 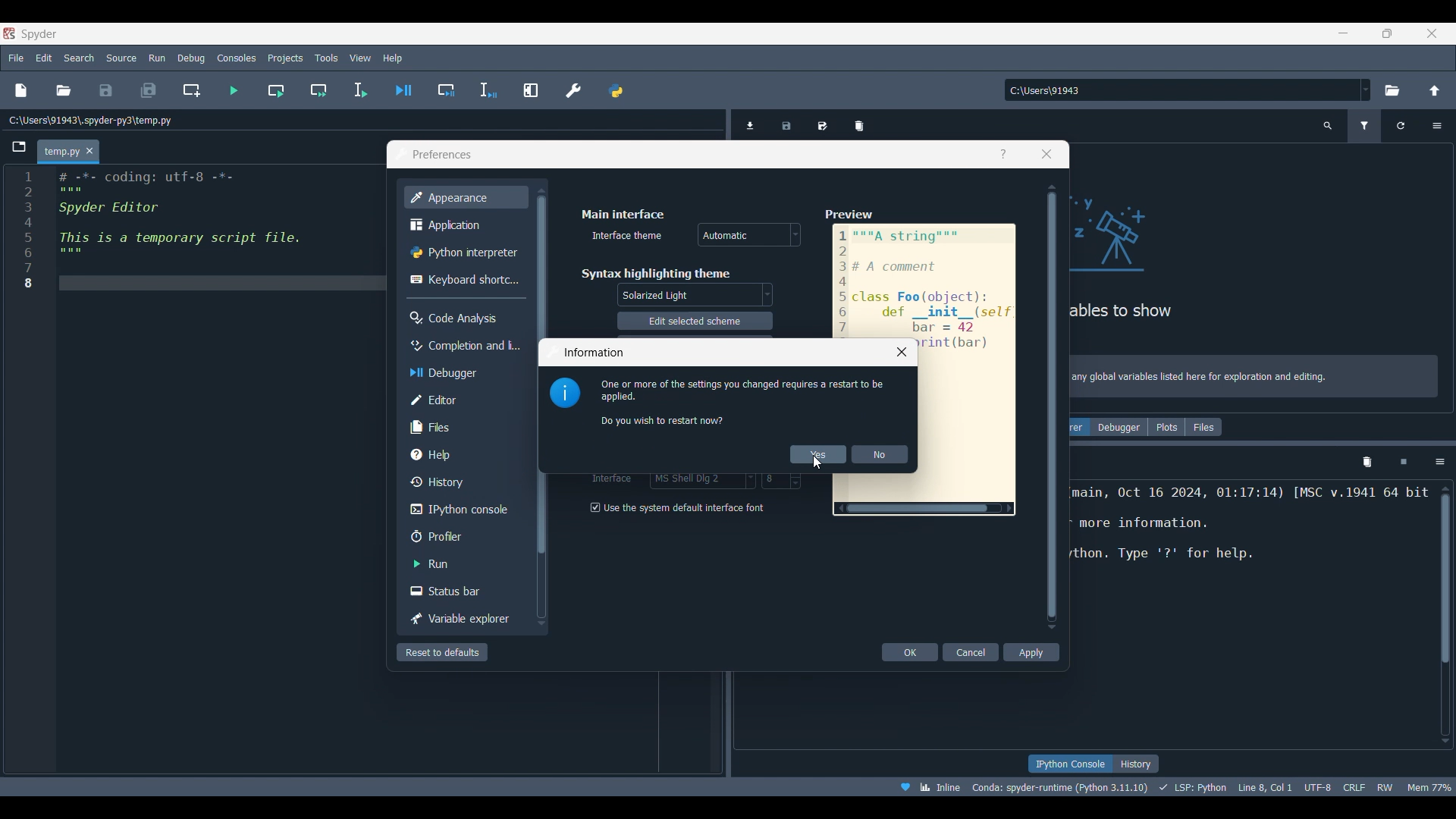 What do you see at coordinates (695, 322) in the screenshot?
I see `edit selected theme` at bounding box center [695, 322].